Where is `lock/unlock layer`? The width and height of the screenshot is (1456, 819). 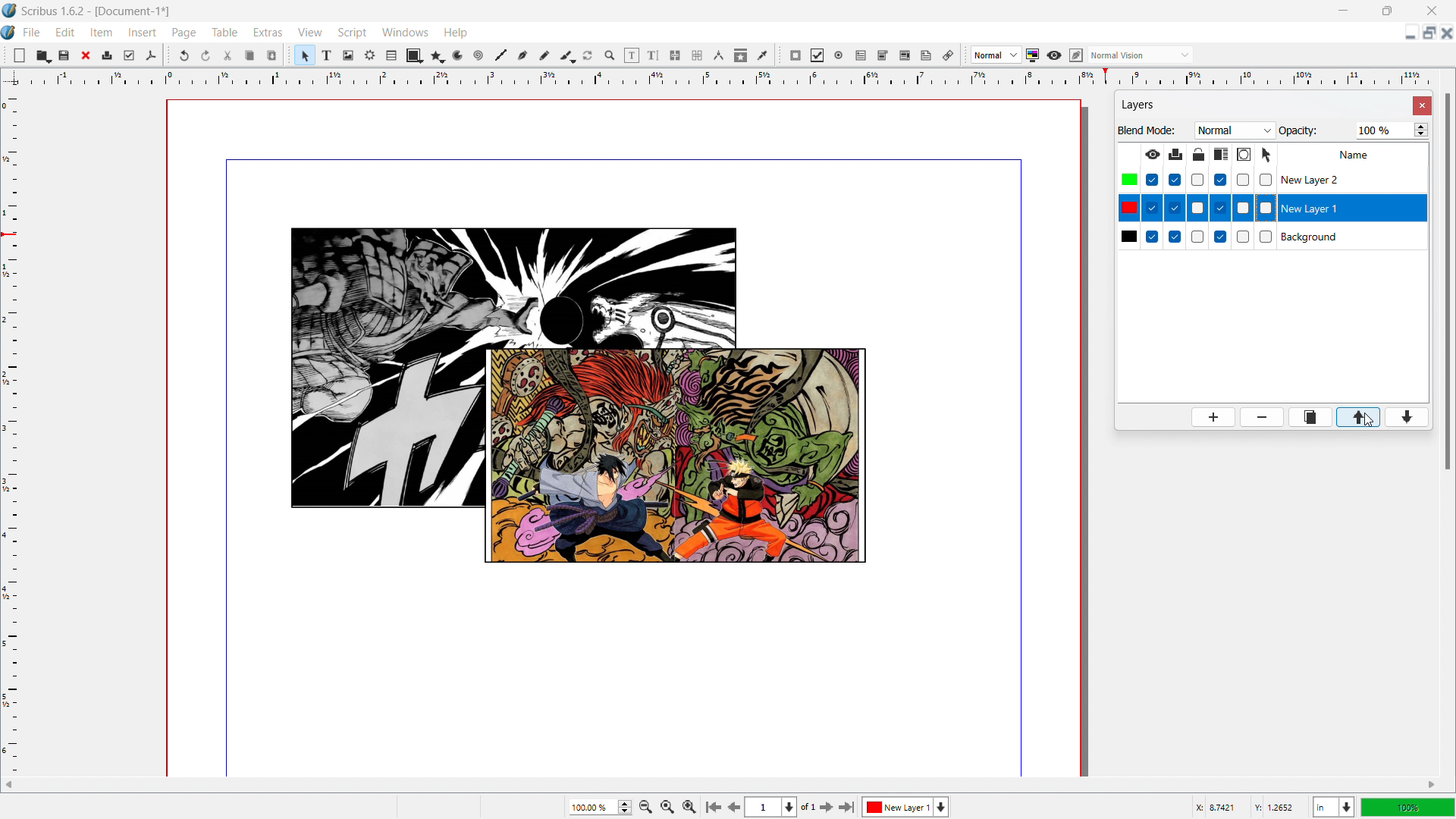 lock/unlock layer is located at coordinates (1198, 154).